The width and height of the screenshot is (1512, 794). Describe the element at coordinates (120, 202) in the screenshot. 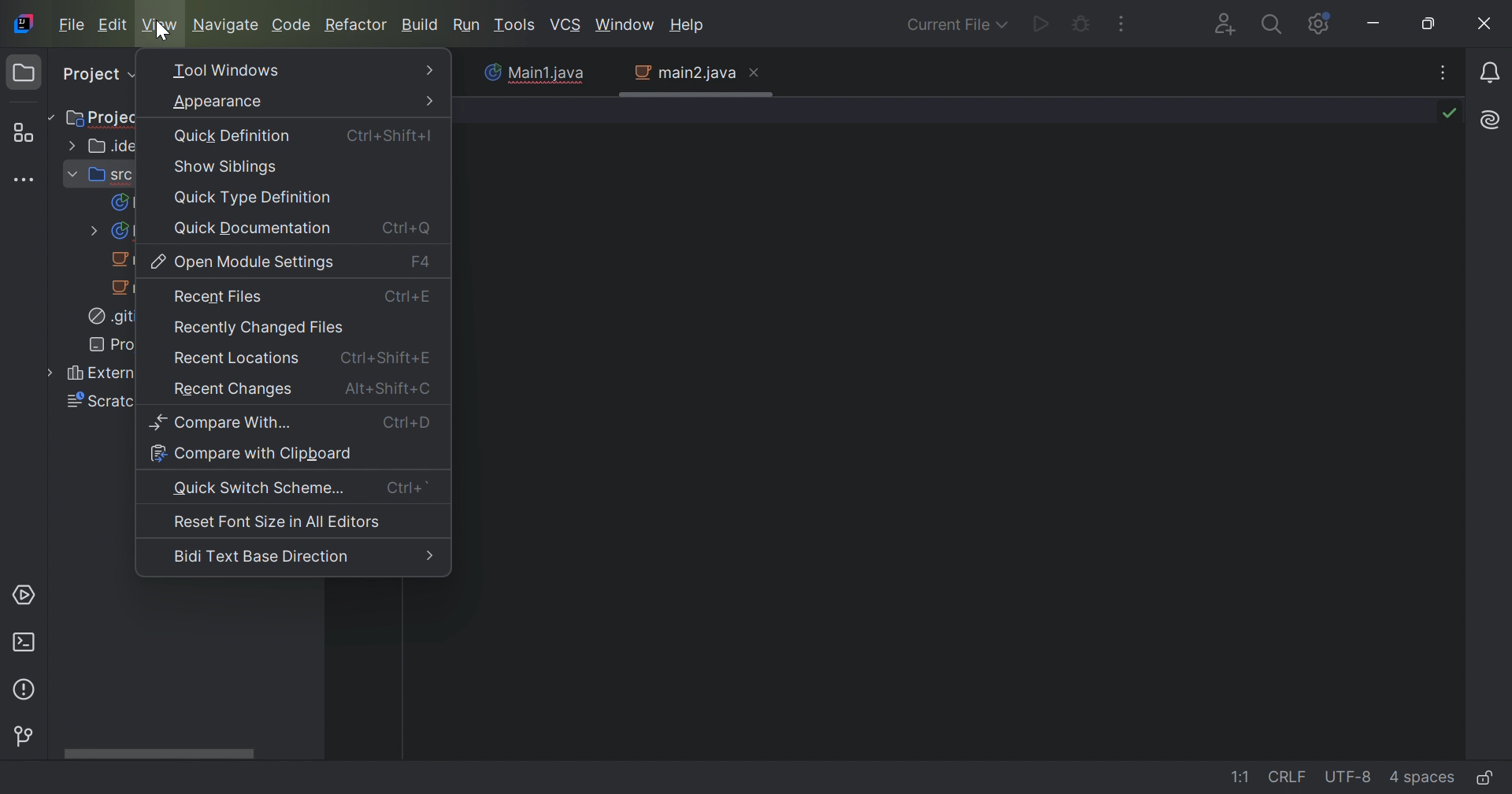

I see `Main` at that location.